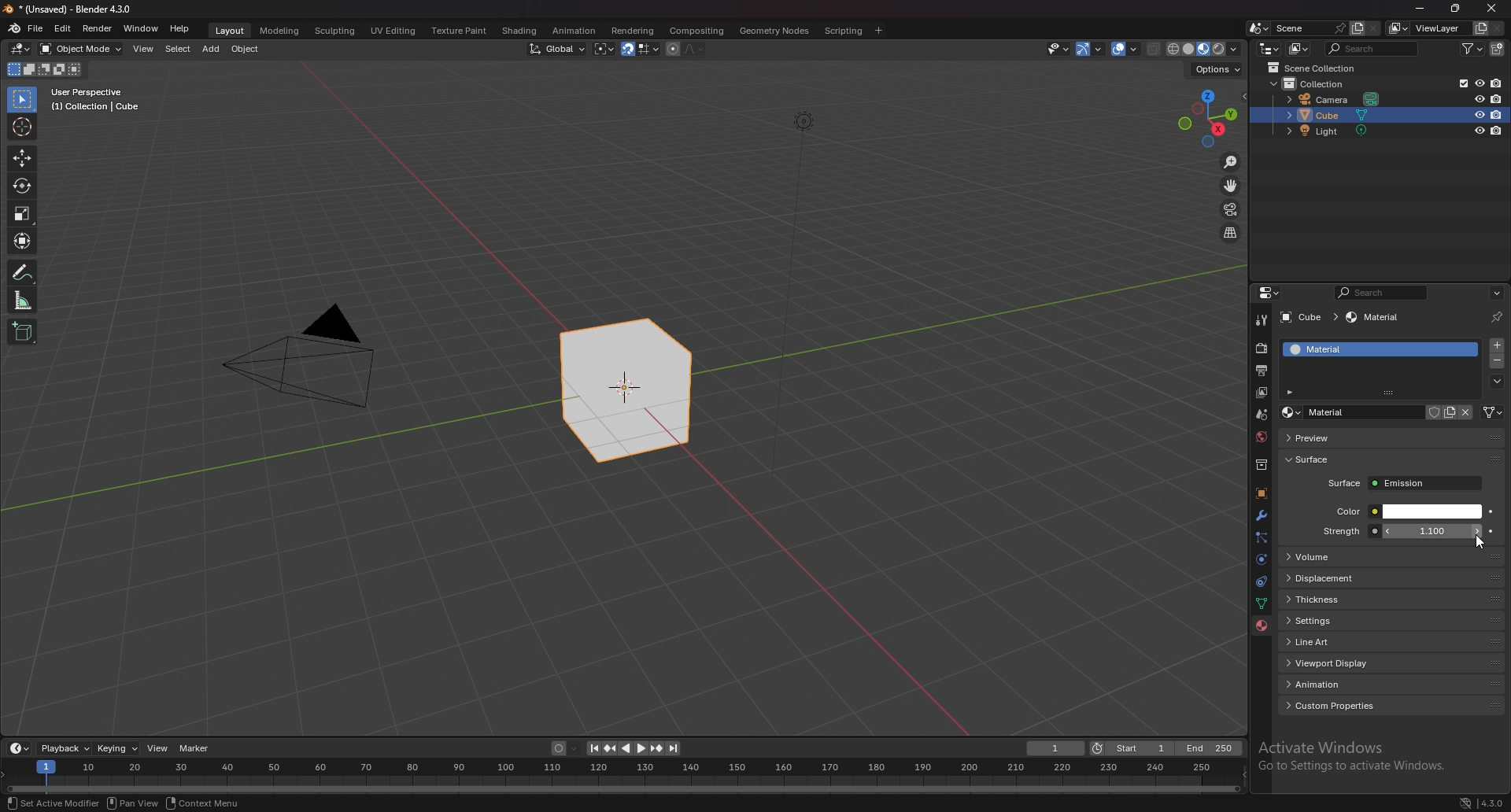  I want to click on add collection, so click(1498, 49).